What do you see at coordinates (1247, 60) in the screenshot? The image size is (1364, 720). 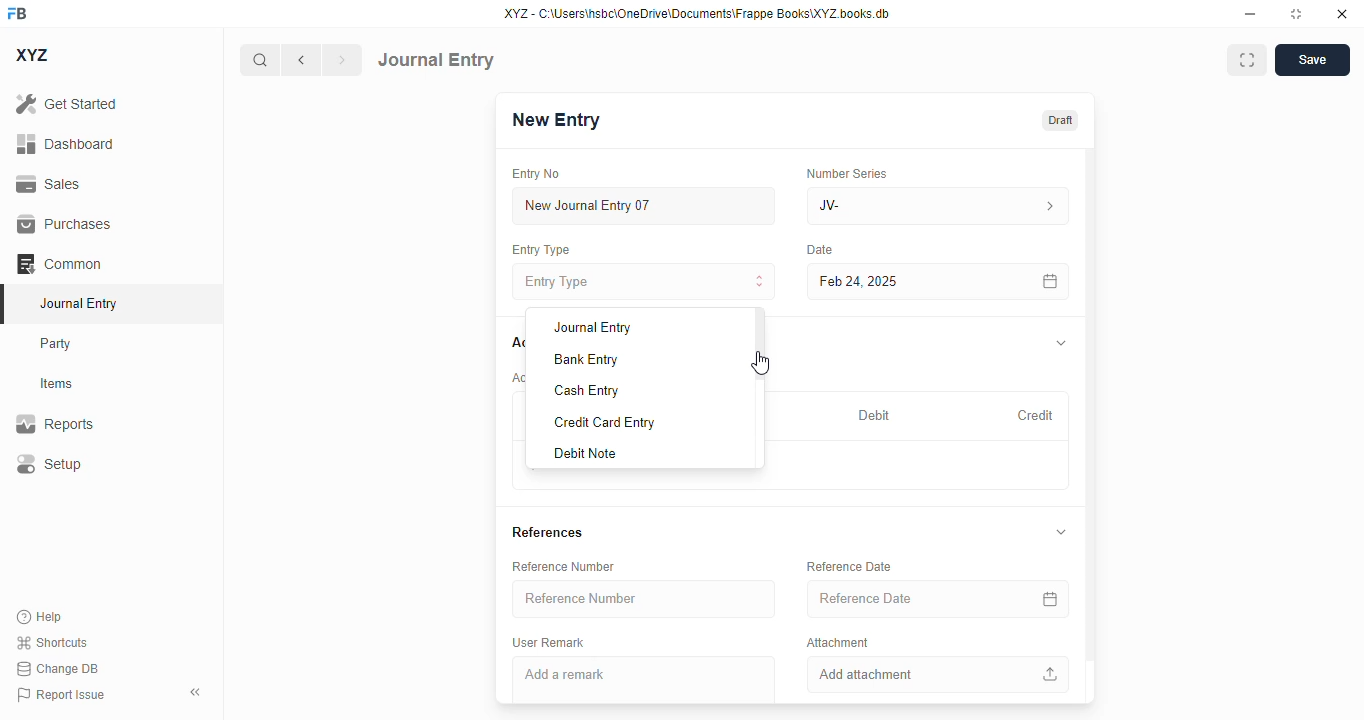 I see `maximise window` at bounding box center [1247, 60].